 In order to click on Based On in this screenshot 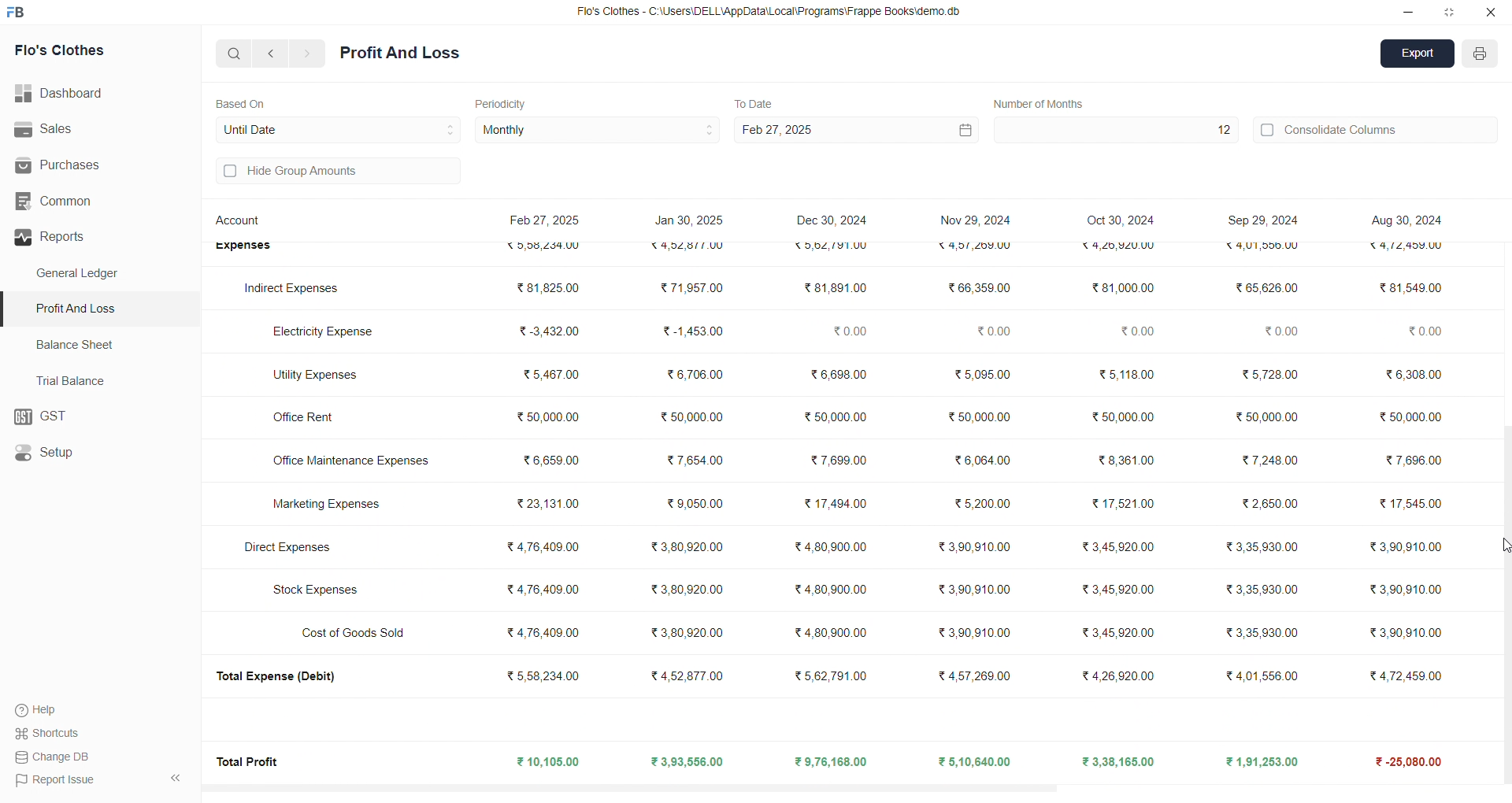, I will do `click(244, 102)`.